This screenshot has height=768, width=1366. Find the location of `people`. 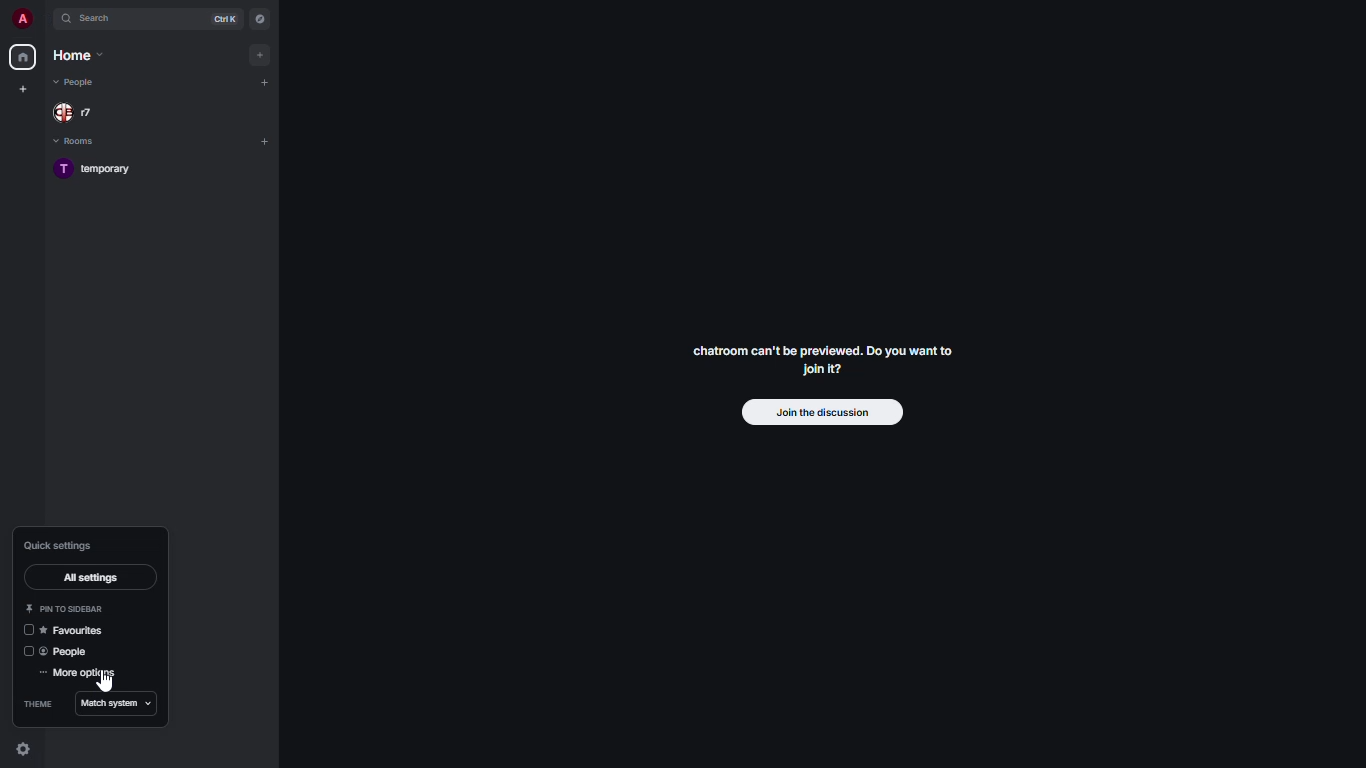

people is located at coordinates (68, 651).